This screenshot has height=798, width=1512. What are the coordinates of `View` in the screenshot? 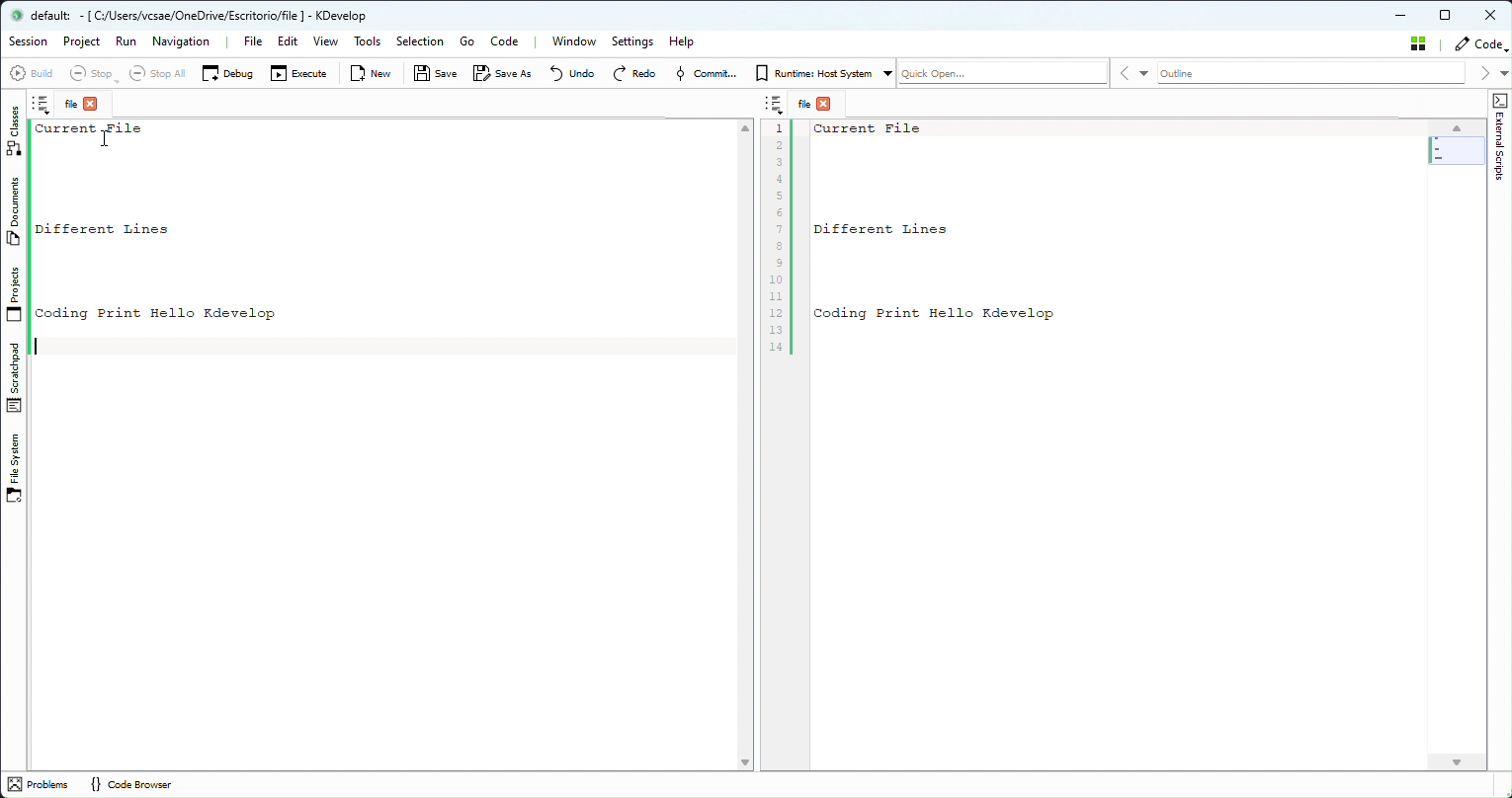 It's located at (322, 44).